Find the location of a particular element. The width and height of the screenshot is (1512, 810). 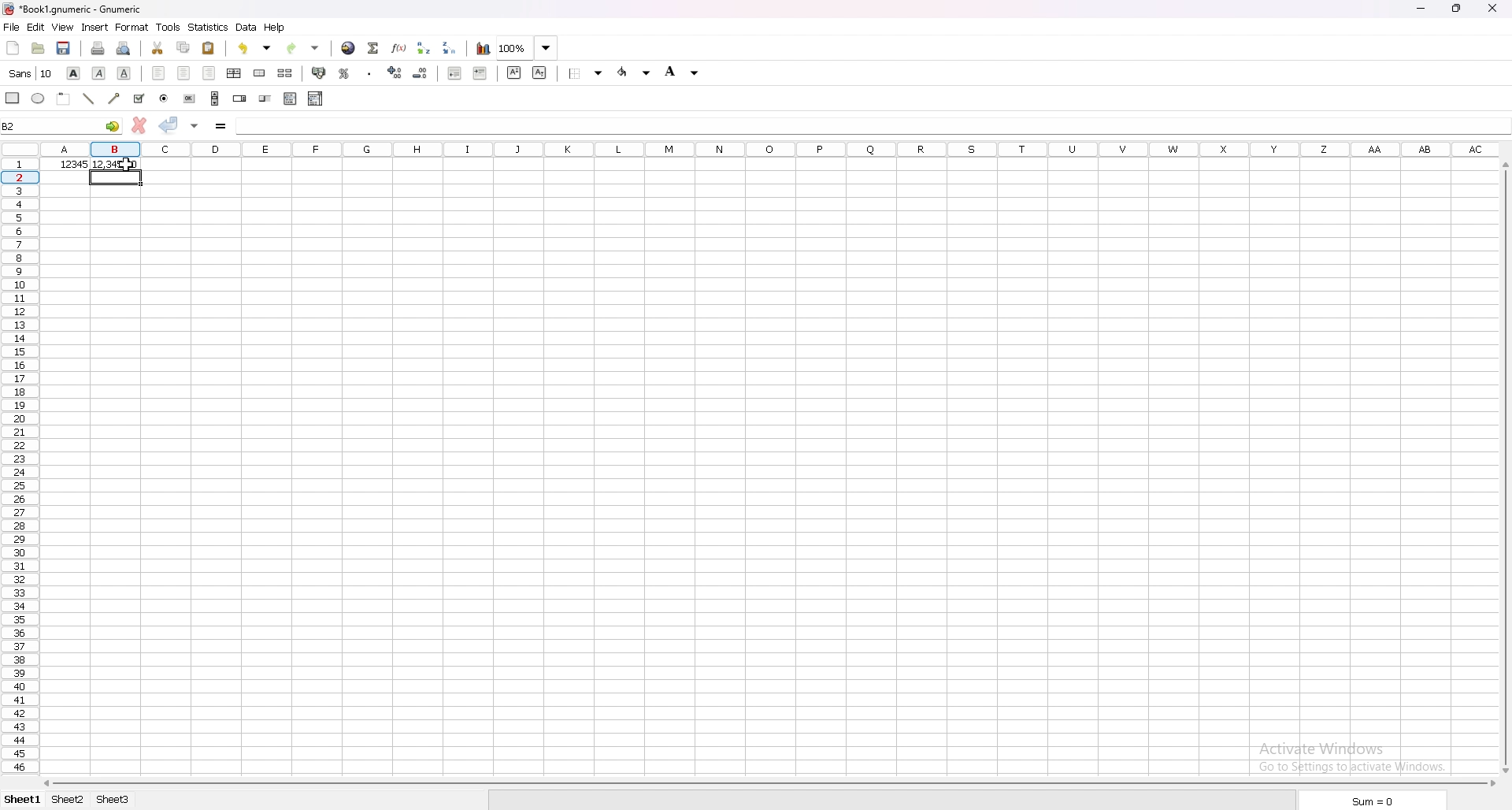

help is located at coordinates (276, 28).